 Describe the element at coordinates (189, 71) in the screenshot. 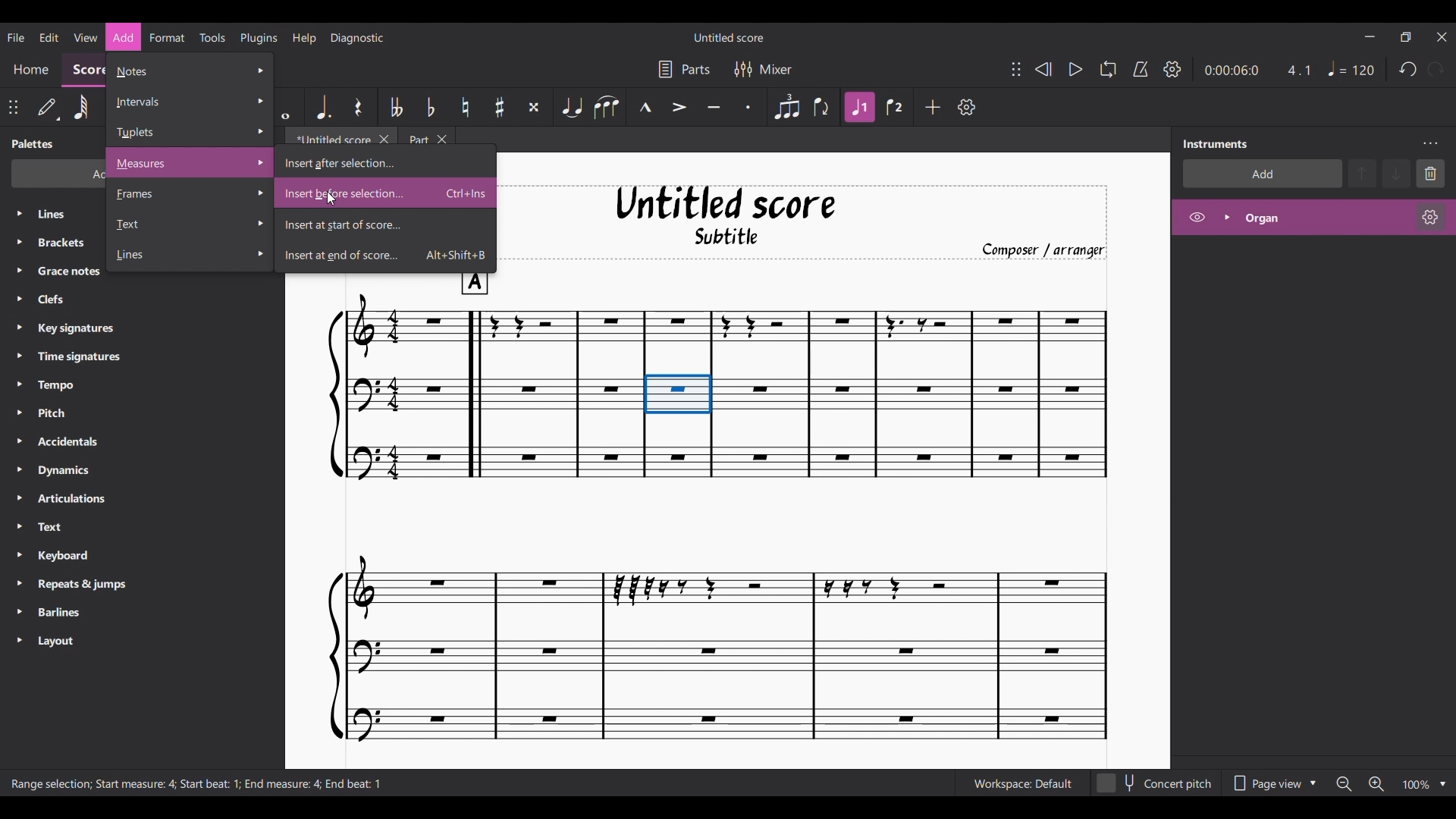

I see `Notes options` at that location.